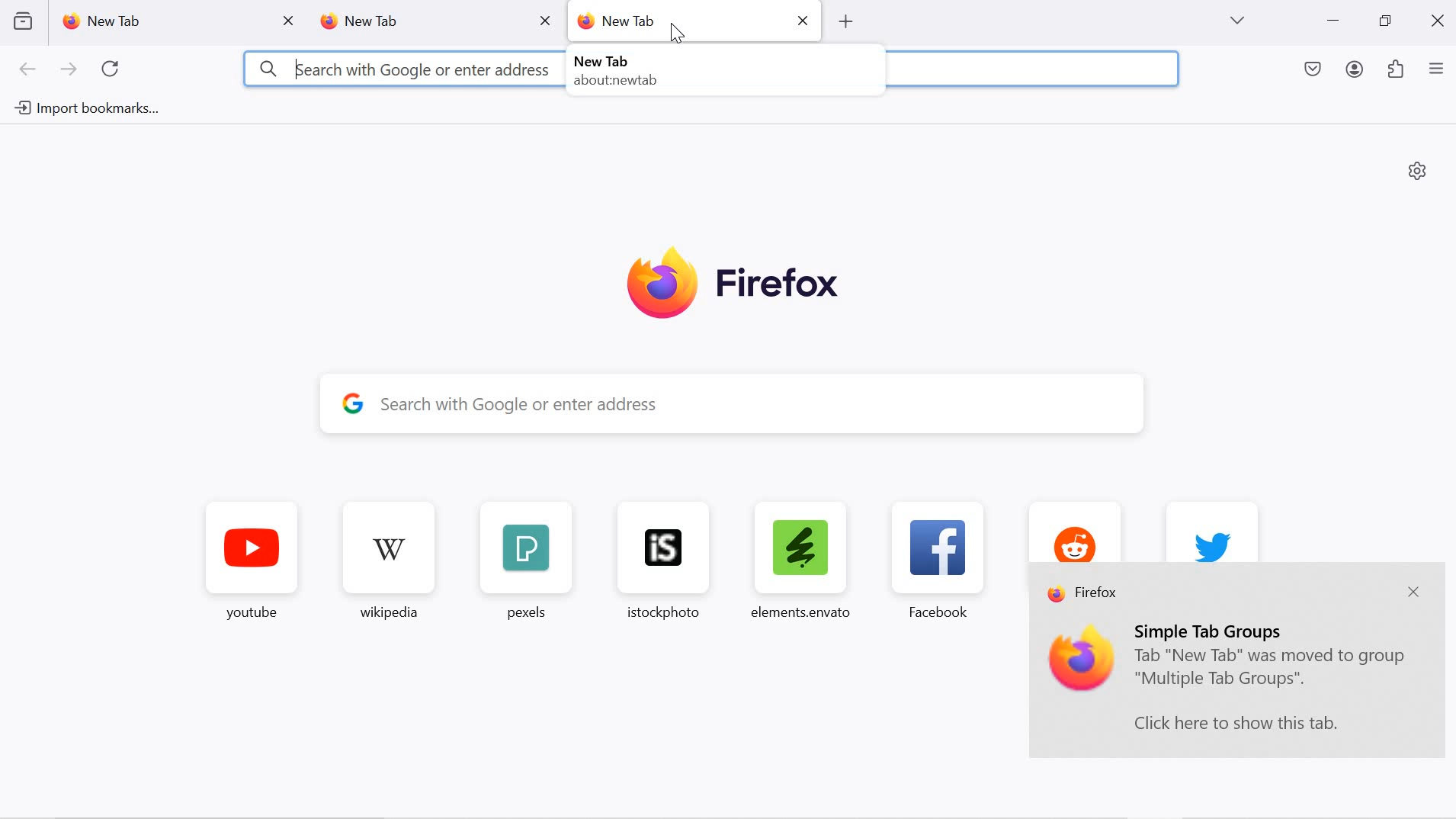  Describe the element at coordinates (1384, 21) in the screenshot. I see `restore down` at that location.